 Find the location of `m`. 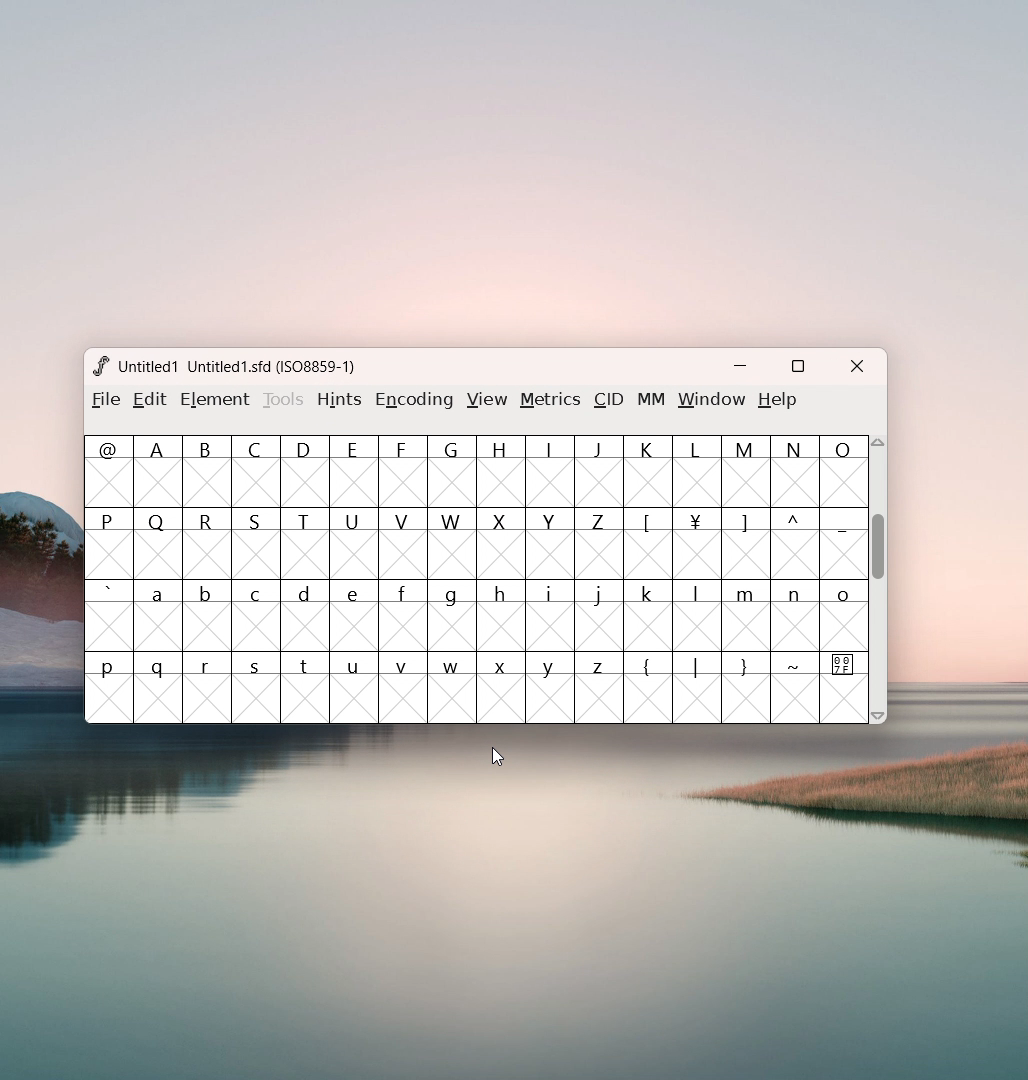

m is located at coordinates (747, 617).